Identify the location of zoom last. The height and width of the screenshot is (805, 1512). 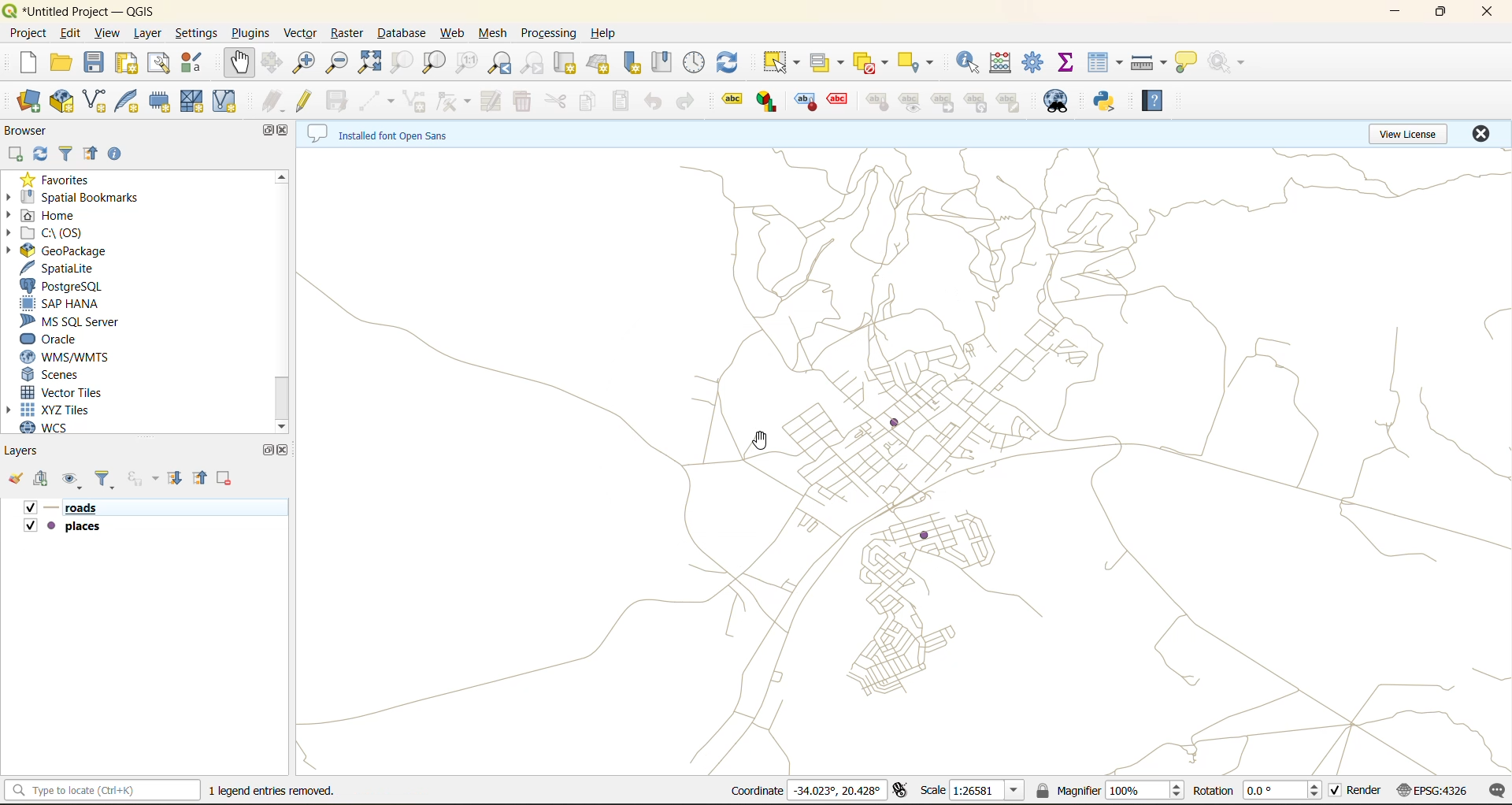
(498, 63).